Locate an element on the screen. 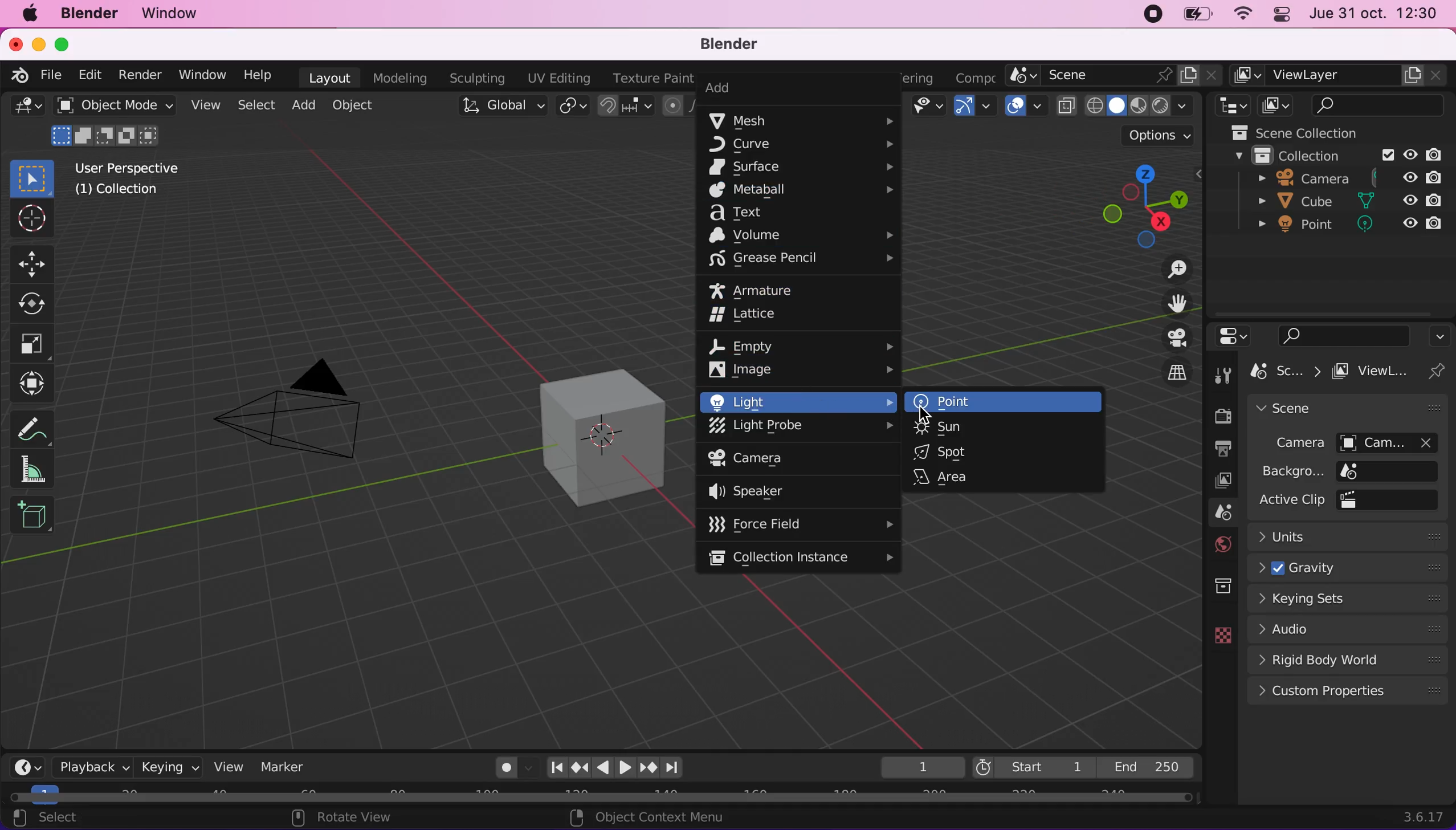 Image resolution: width=1456 pixels, height=830 pixels. shading is located at coordinates (1141, 105).